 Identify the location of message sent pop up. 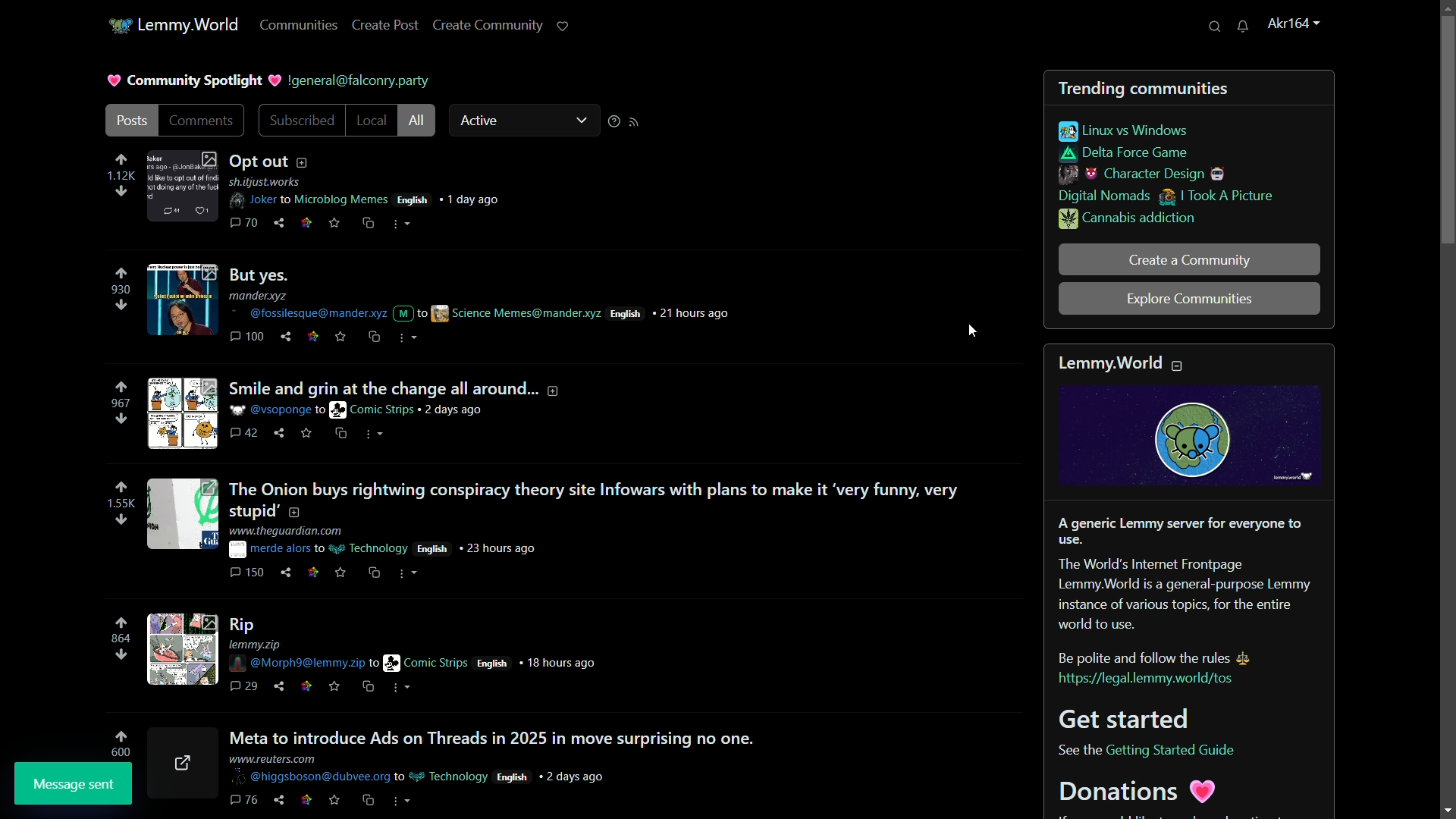
(71, 784).